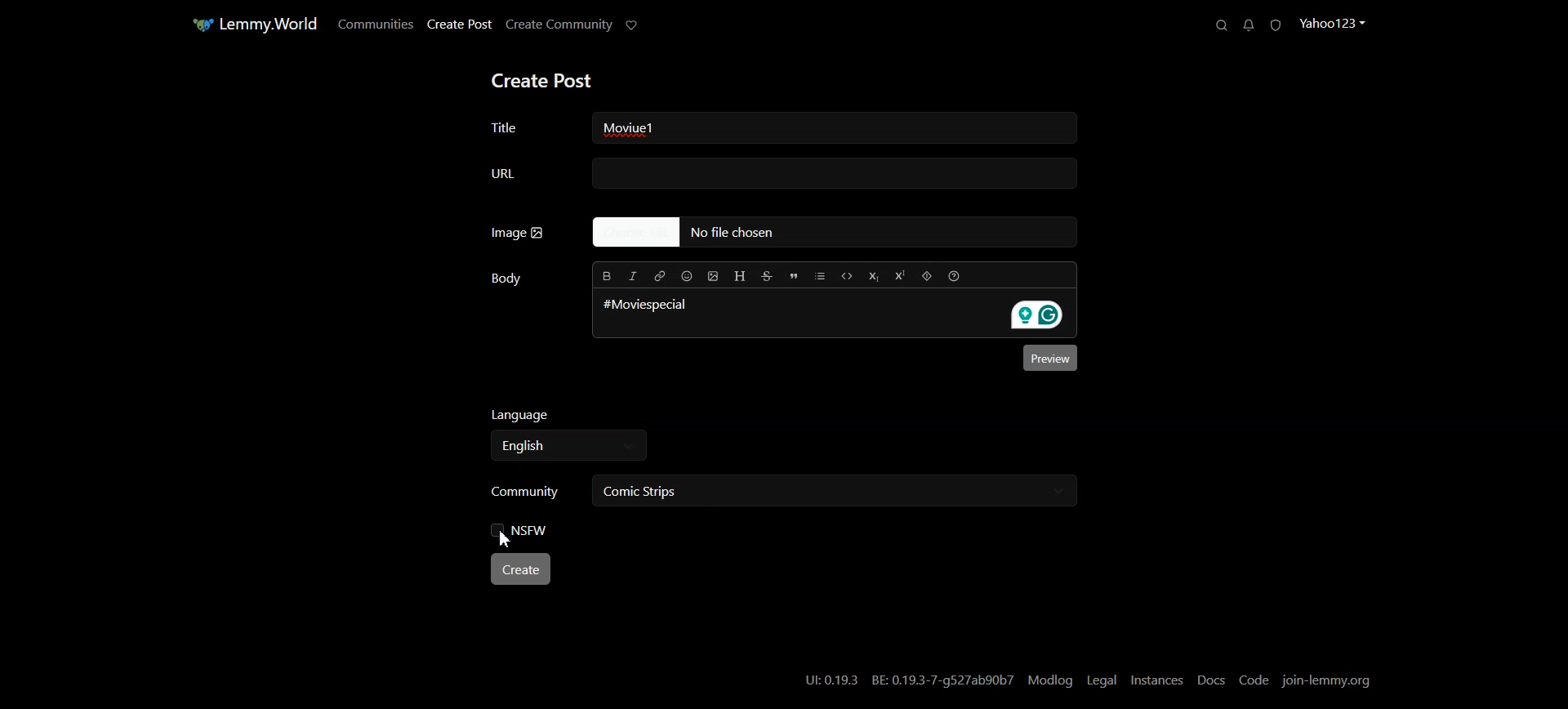 This screenshot has width=1568, height=709. I want to click on Image, so click(518, 233).